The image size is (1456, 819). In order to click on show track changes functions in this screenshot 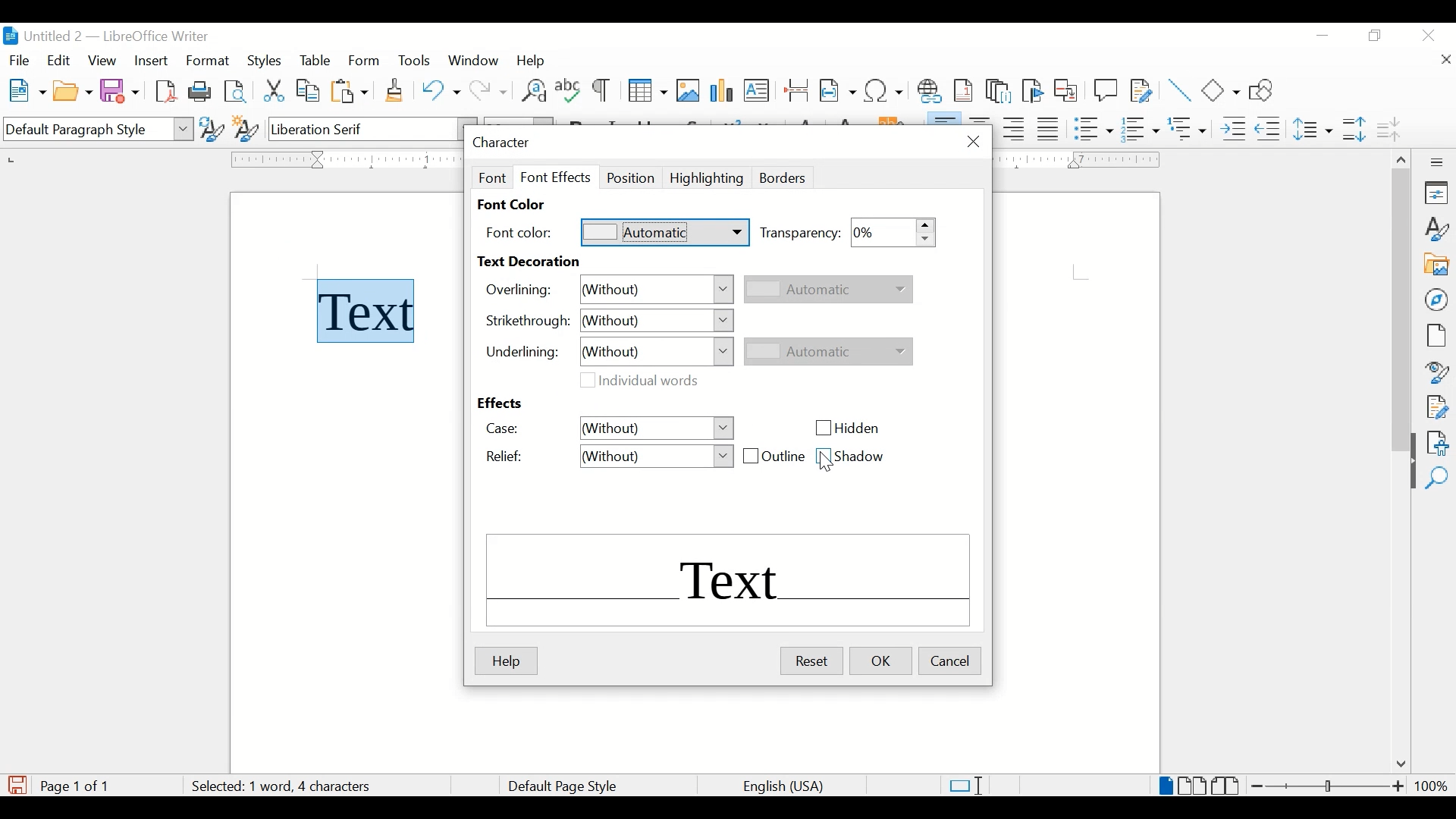, I will do `click(1141, 89)`.